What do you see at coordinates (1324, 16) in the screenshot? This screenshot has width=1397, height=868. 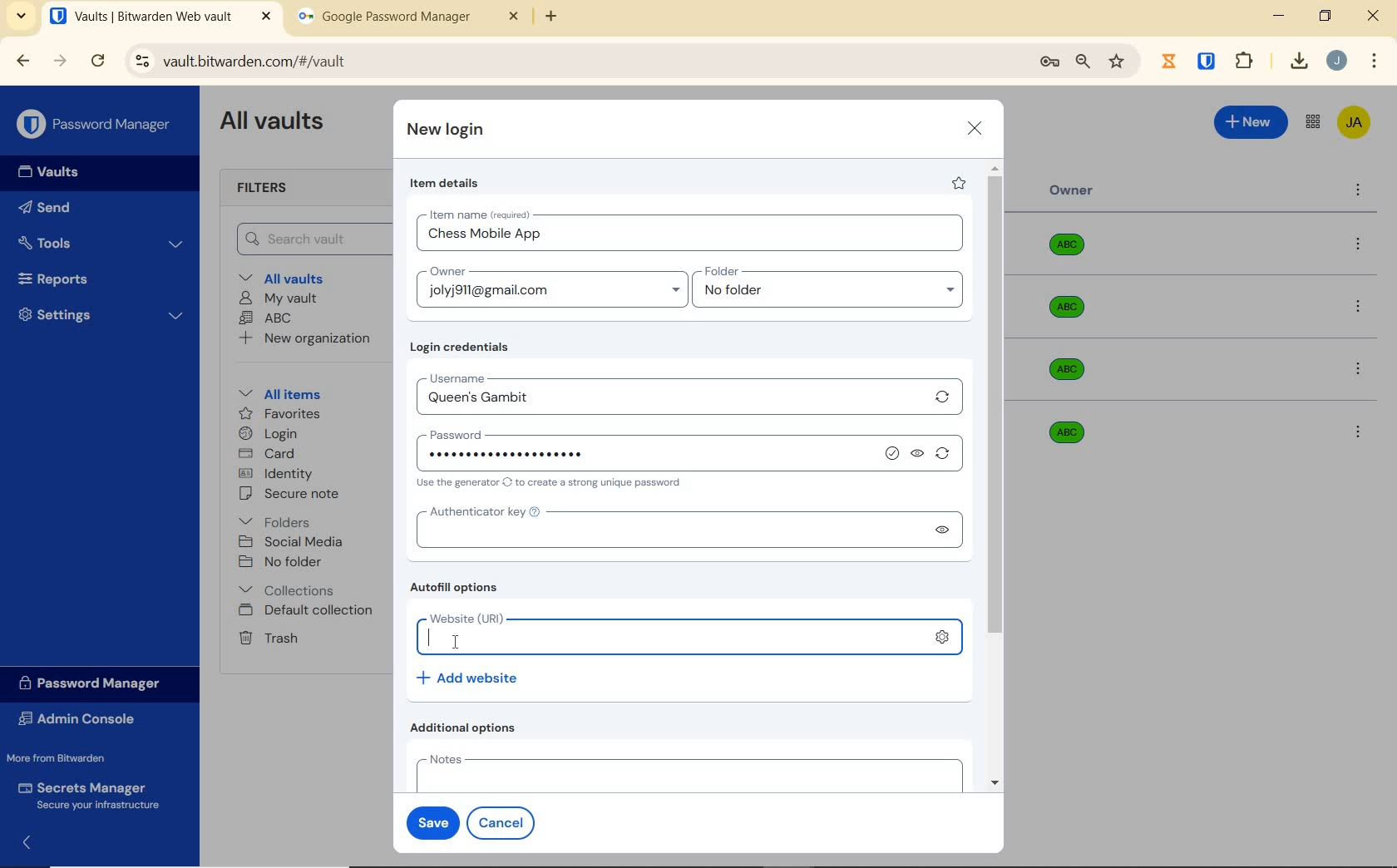 I see `restore` at bounding box center [1324, 16].